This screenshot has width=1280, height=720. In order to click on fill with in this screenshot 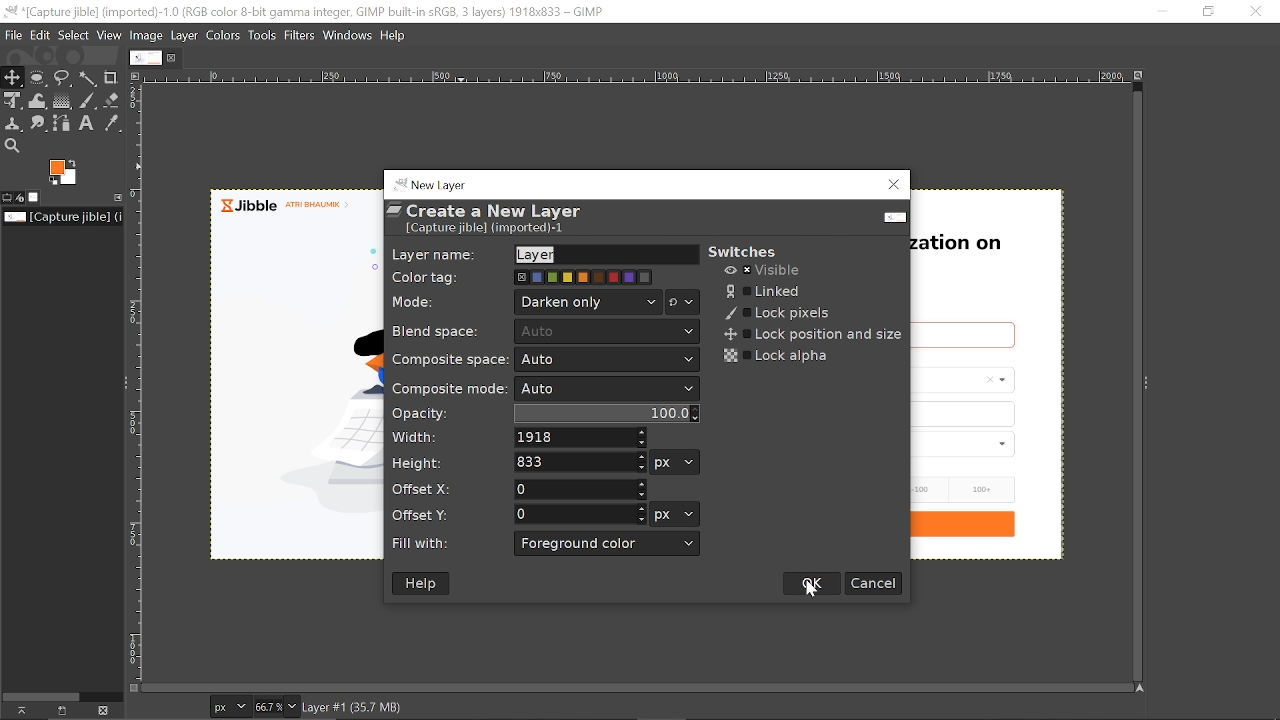, I will do `click(428, 544)`.